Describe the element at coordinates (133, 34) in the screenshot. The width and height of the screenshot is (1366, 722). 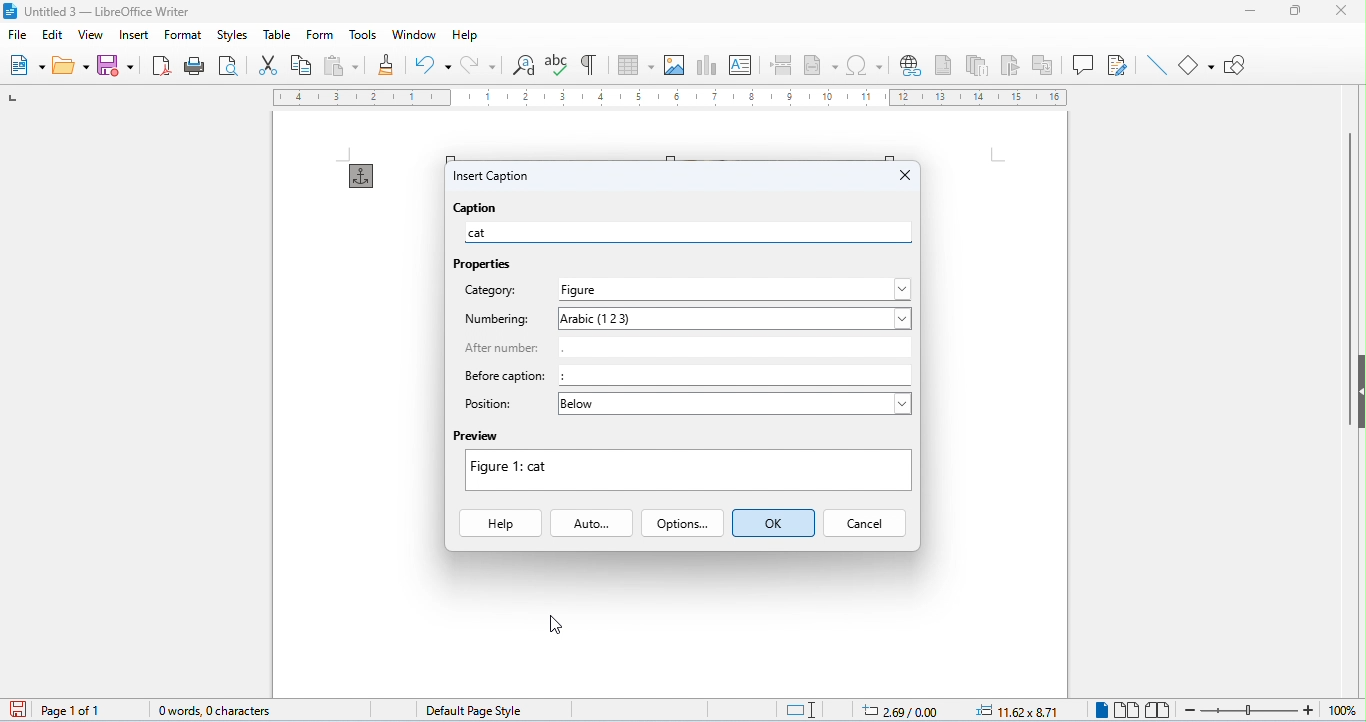
I see `insert` at that location.